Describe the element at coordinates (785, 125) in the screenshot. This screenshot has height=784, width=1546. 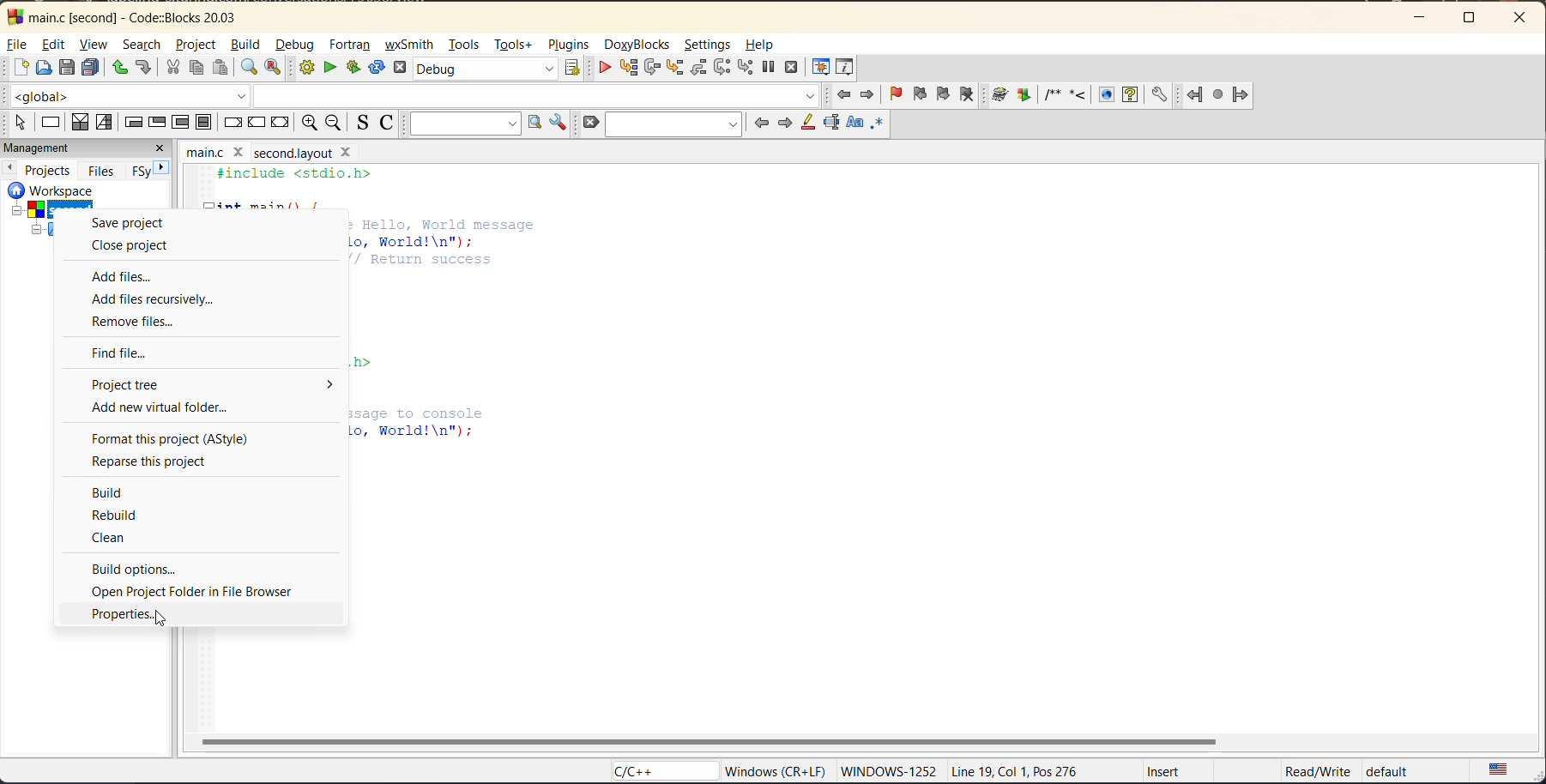
I see `next` at that location.